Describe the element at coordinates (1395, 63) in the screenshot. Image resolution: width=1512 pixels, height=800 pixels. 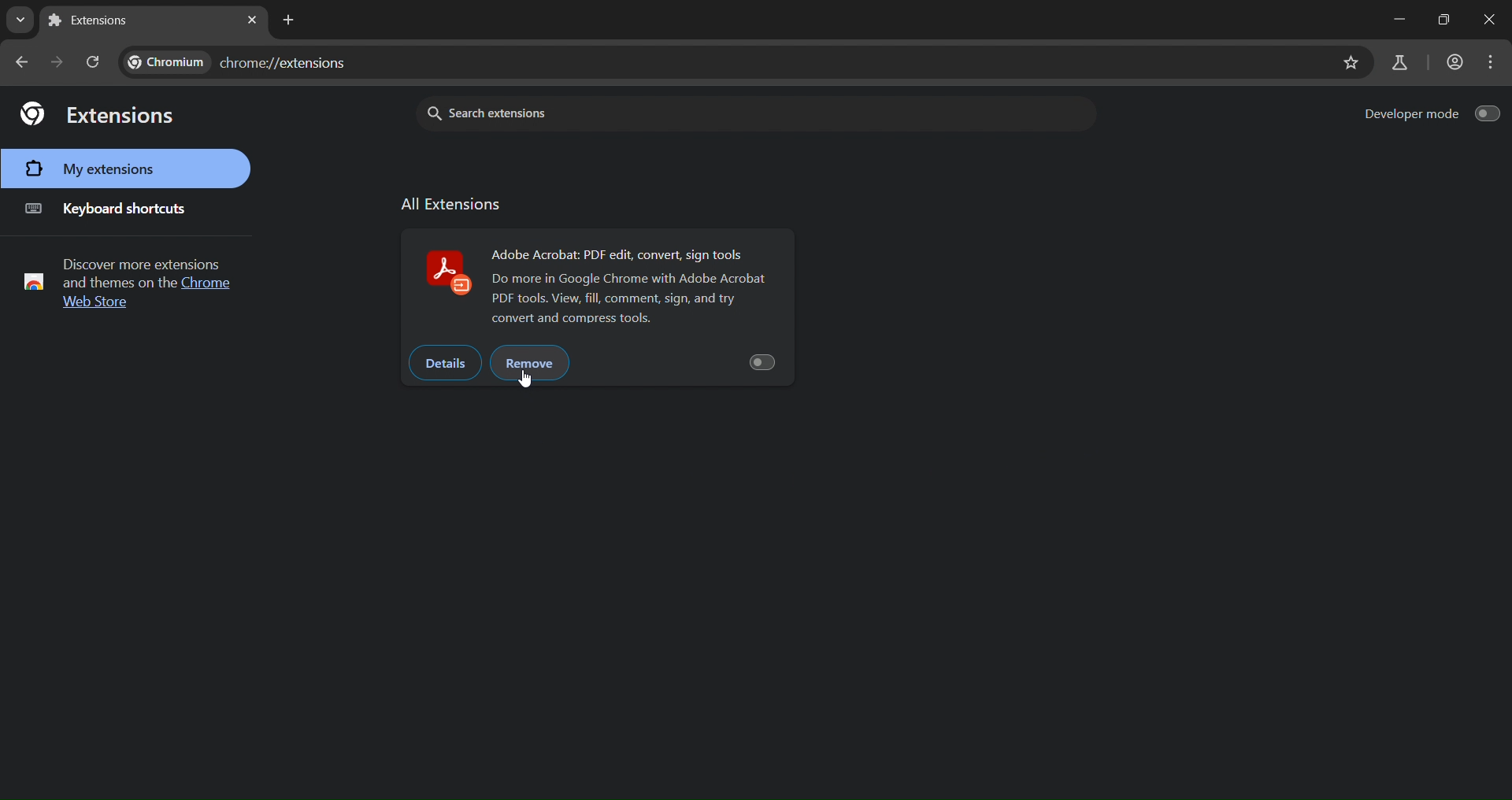
I see `search labs` at that location.